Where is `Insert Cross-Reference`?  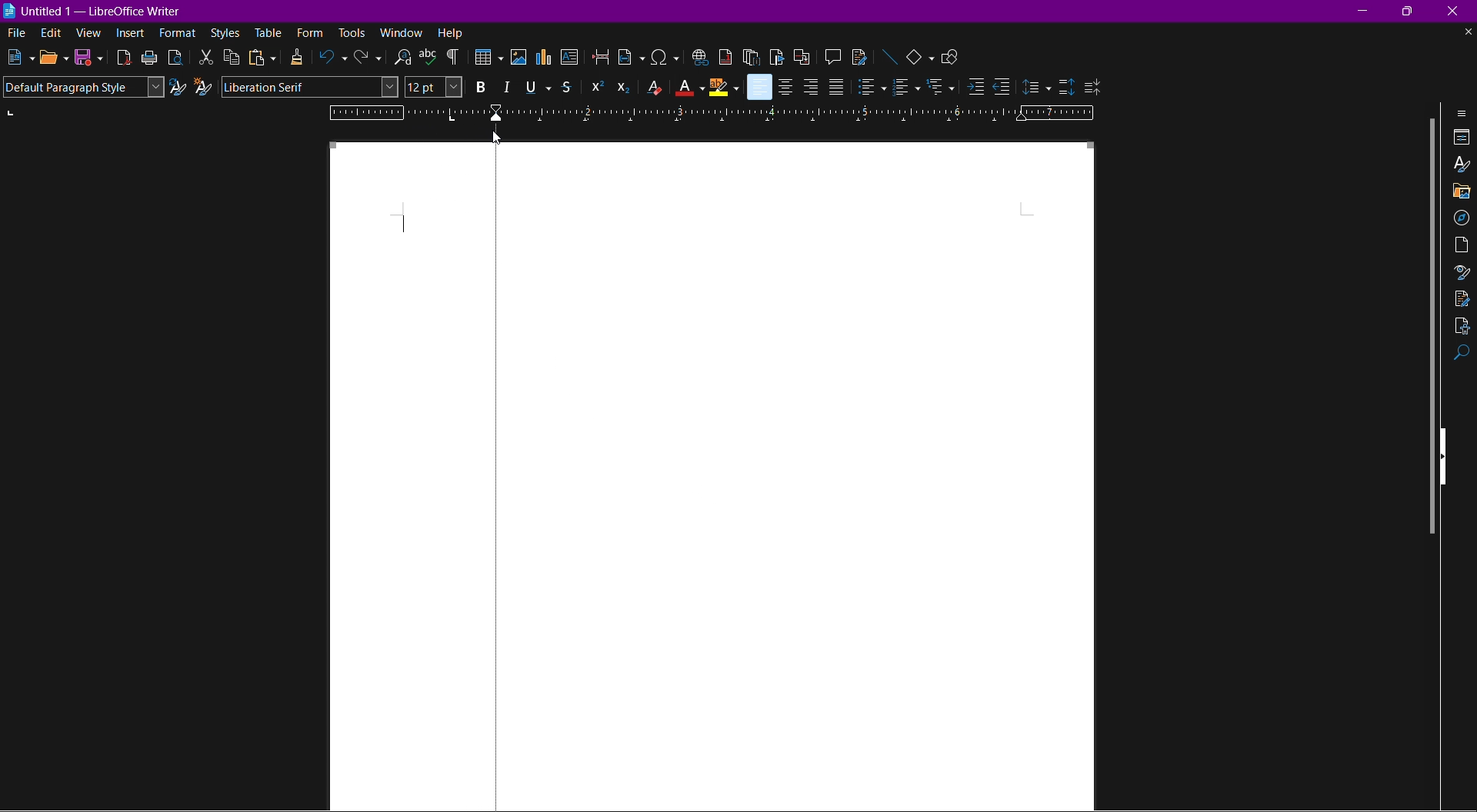 Insert Cross-Reference is located at coordinates (799, 55).